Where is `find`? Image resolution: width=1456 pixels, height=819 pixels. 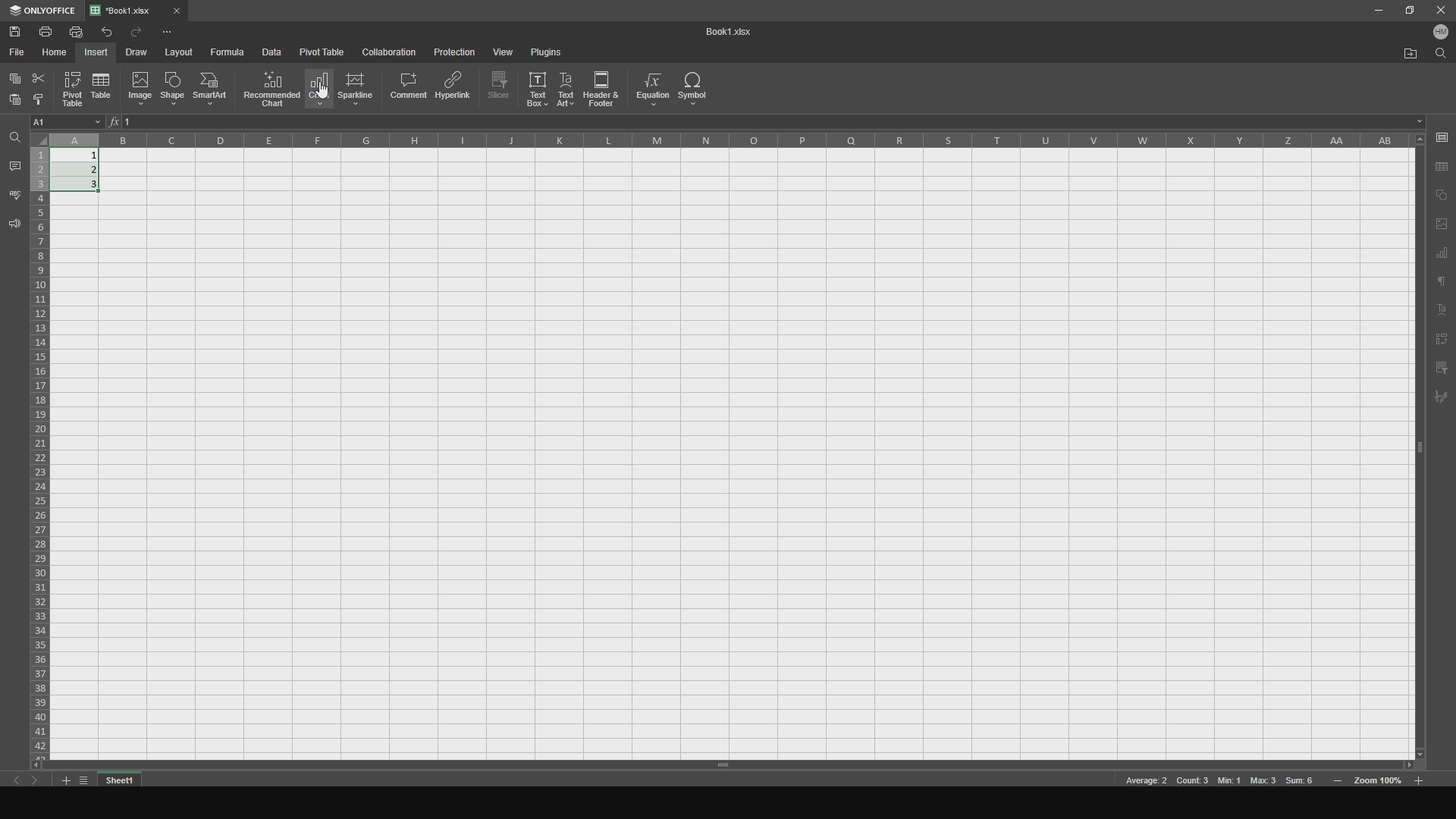
find is located at coordinates (1439, 56).